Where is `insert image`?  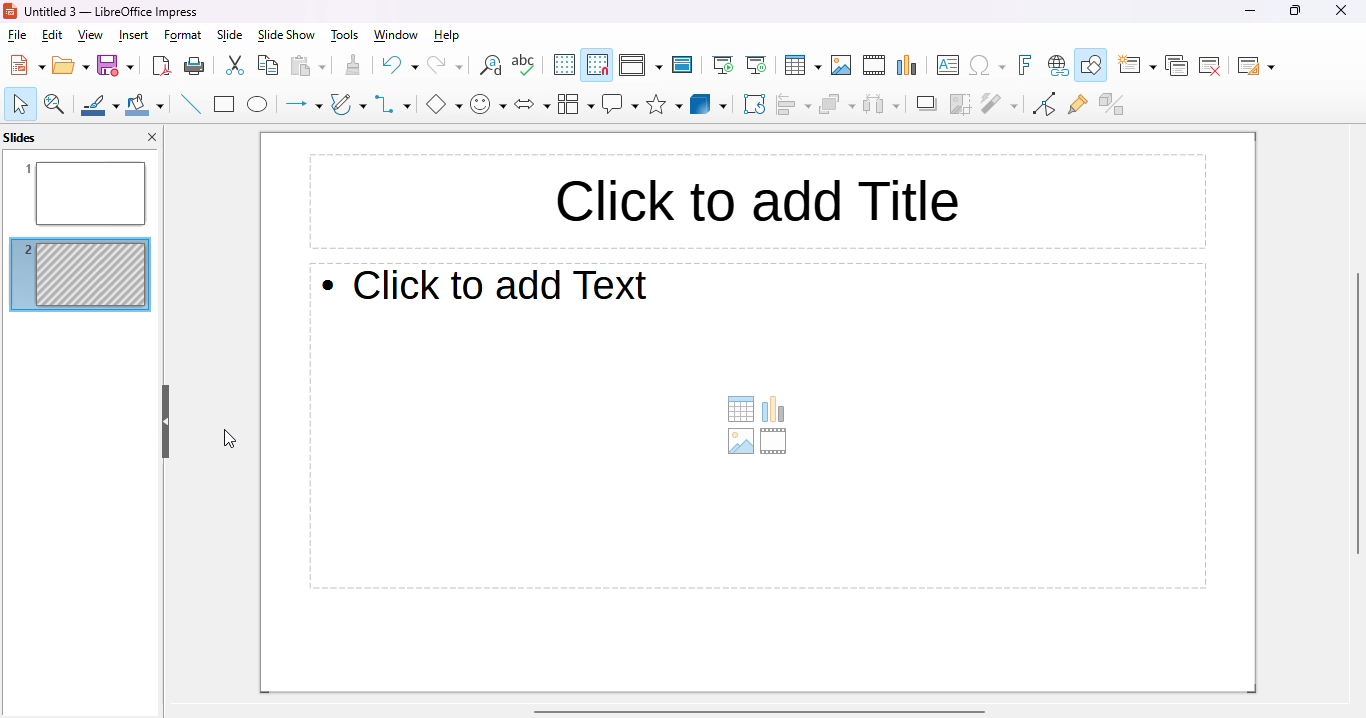
insert image is located at coordinates (739, 443).